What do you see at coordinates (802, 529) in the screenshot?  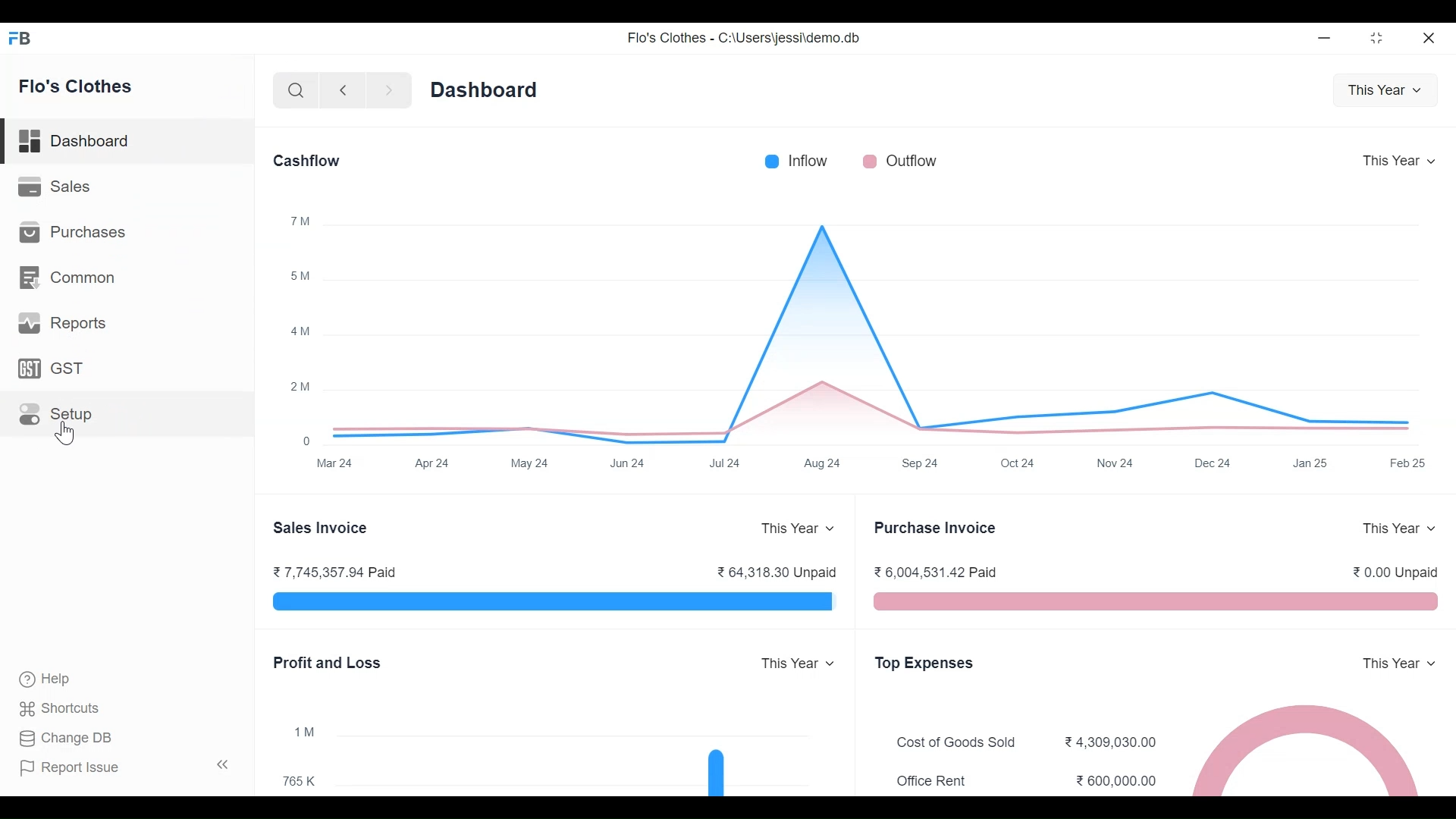 I see `This Year` at bounding box center [802, 529].